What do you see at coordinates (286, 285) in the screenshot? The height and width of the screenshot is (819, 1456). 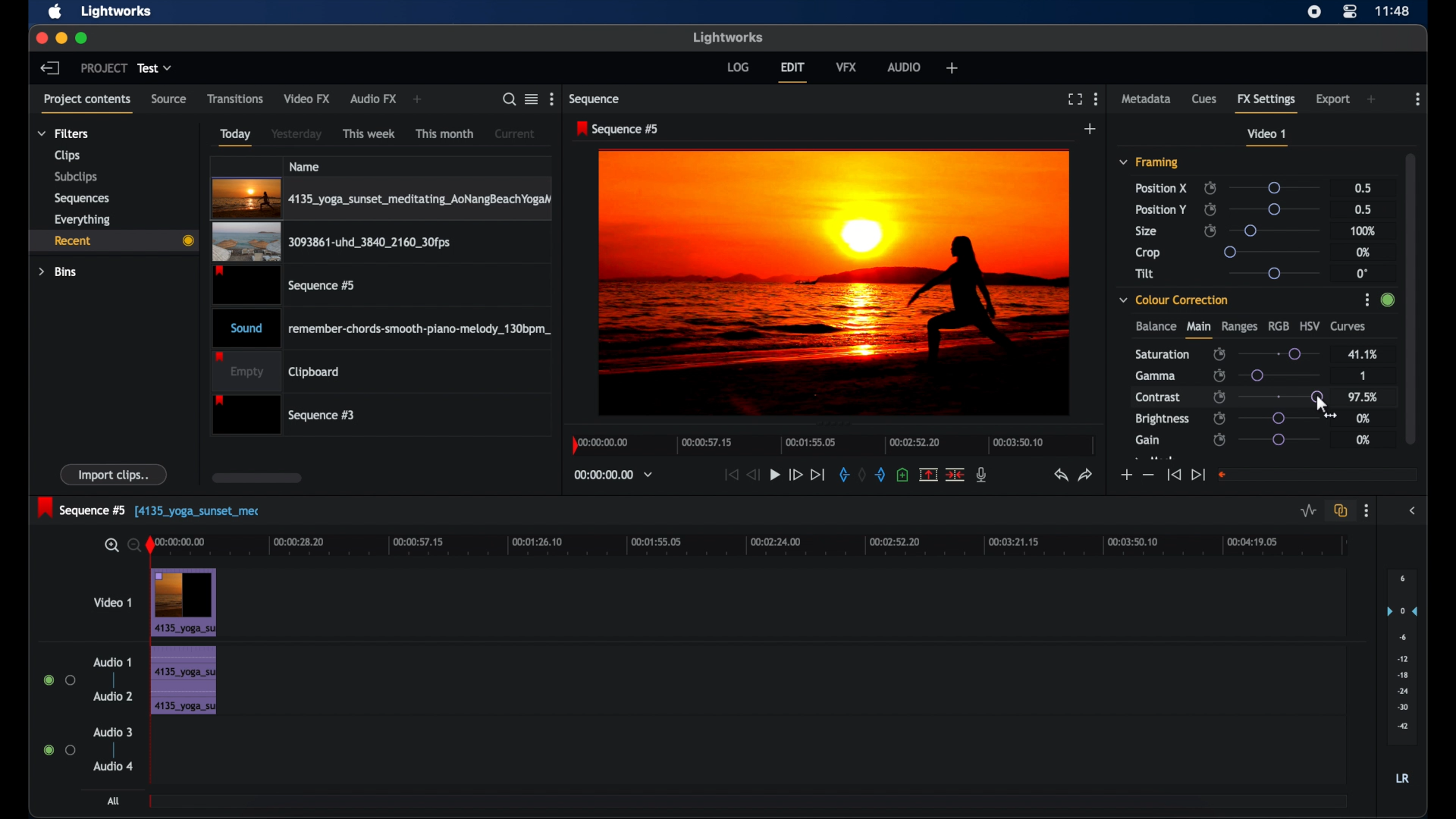 I see `video clip` at bounding box center [286, 285].